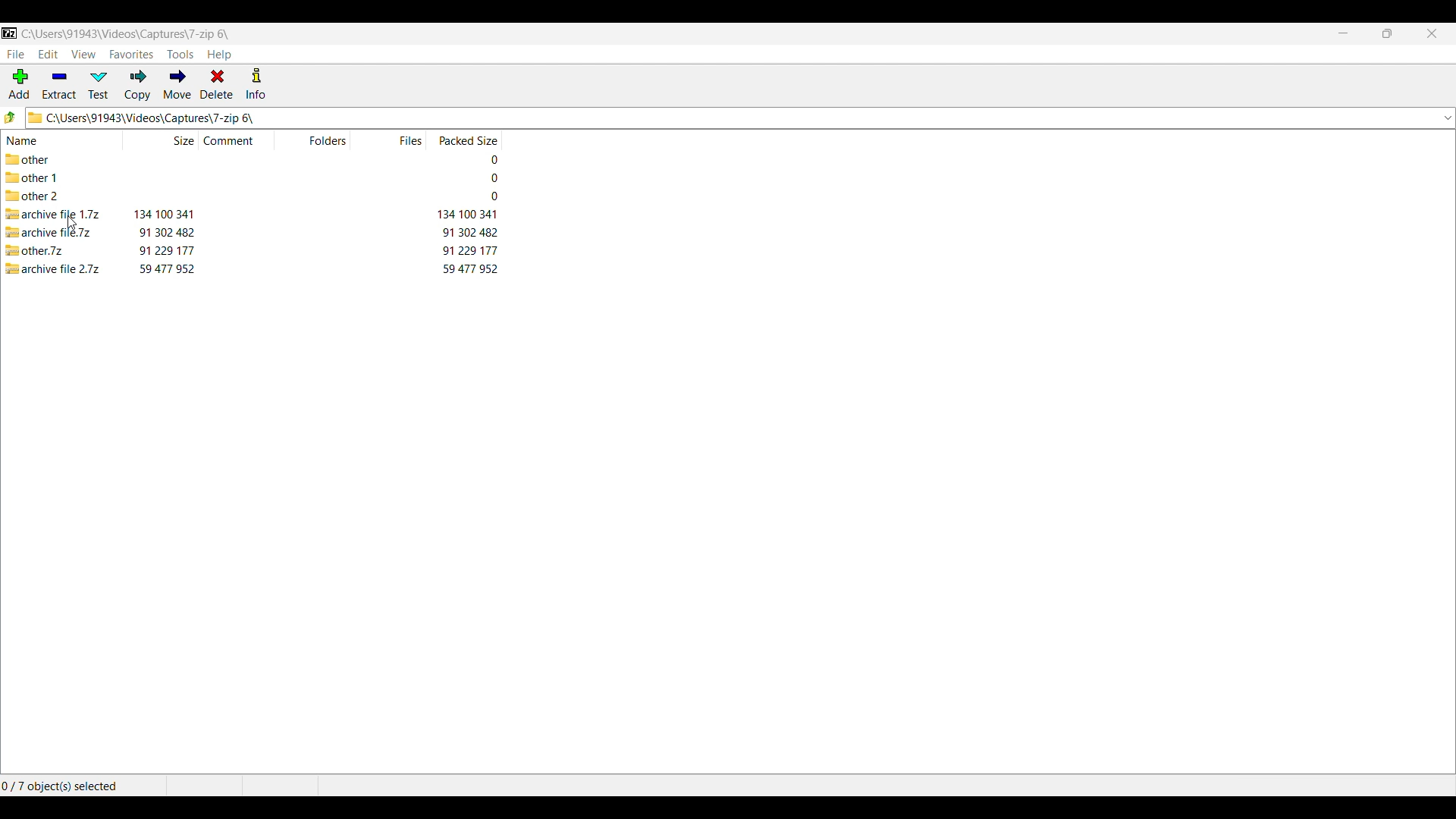  I want to click on size, so click(164, 214).